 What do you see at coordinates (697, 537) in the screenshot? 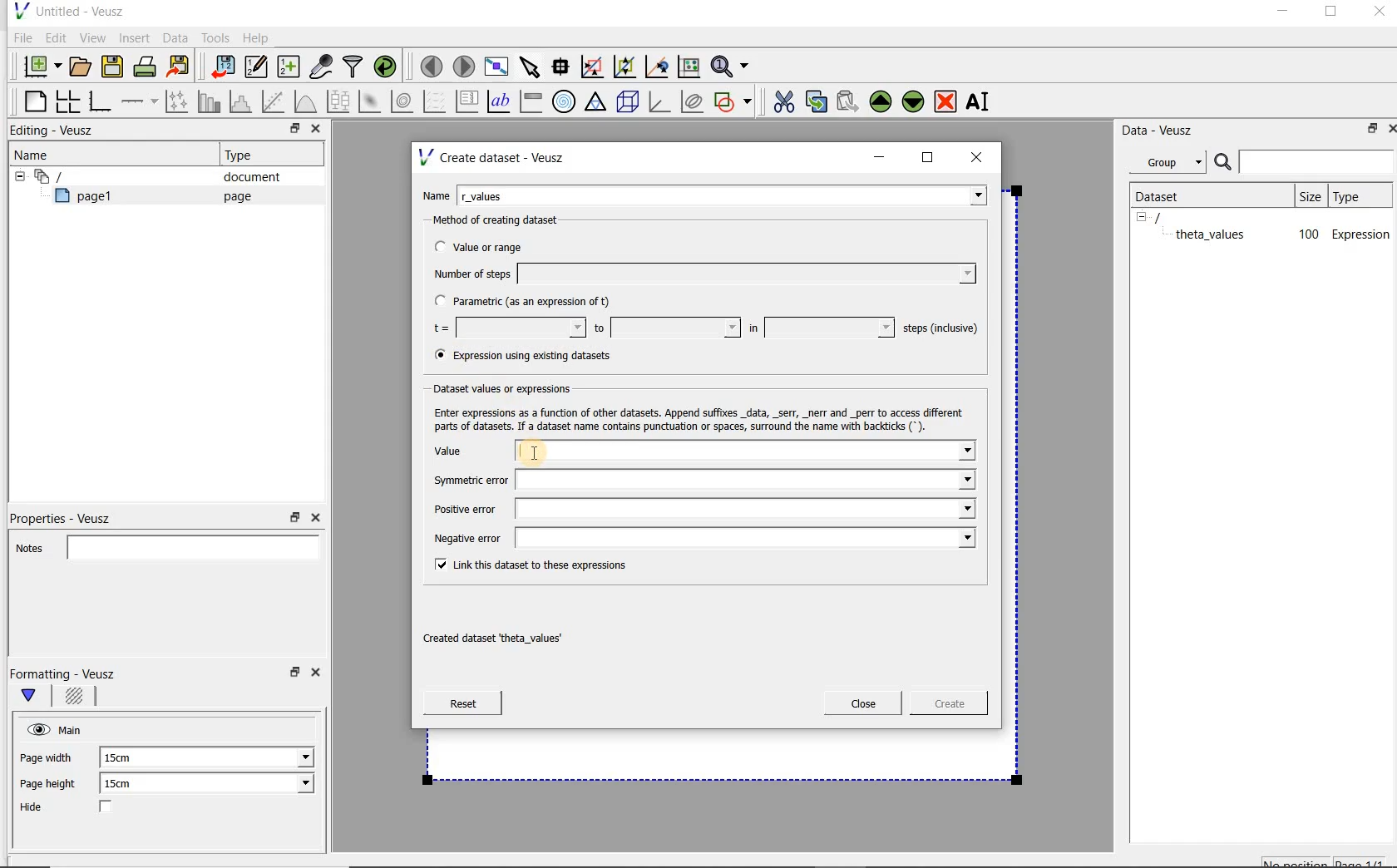
I see `Negative error ` at bounding box center [697, 537].